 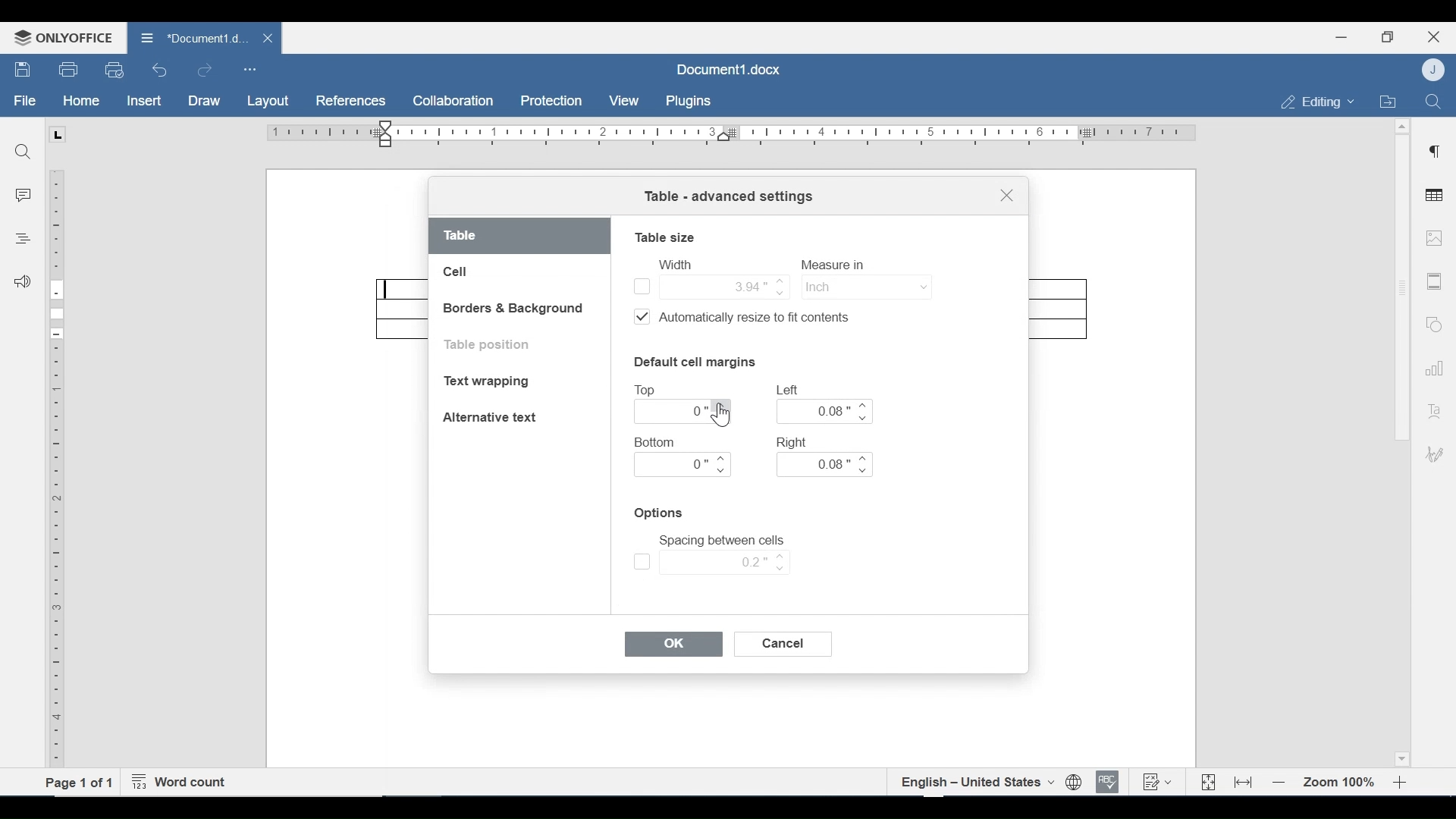 What do you see at coordinates (160, 70) in the screenshot?
I see `Undo` at bounding box center [160, 70].